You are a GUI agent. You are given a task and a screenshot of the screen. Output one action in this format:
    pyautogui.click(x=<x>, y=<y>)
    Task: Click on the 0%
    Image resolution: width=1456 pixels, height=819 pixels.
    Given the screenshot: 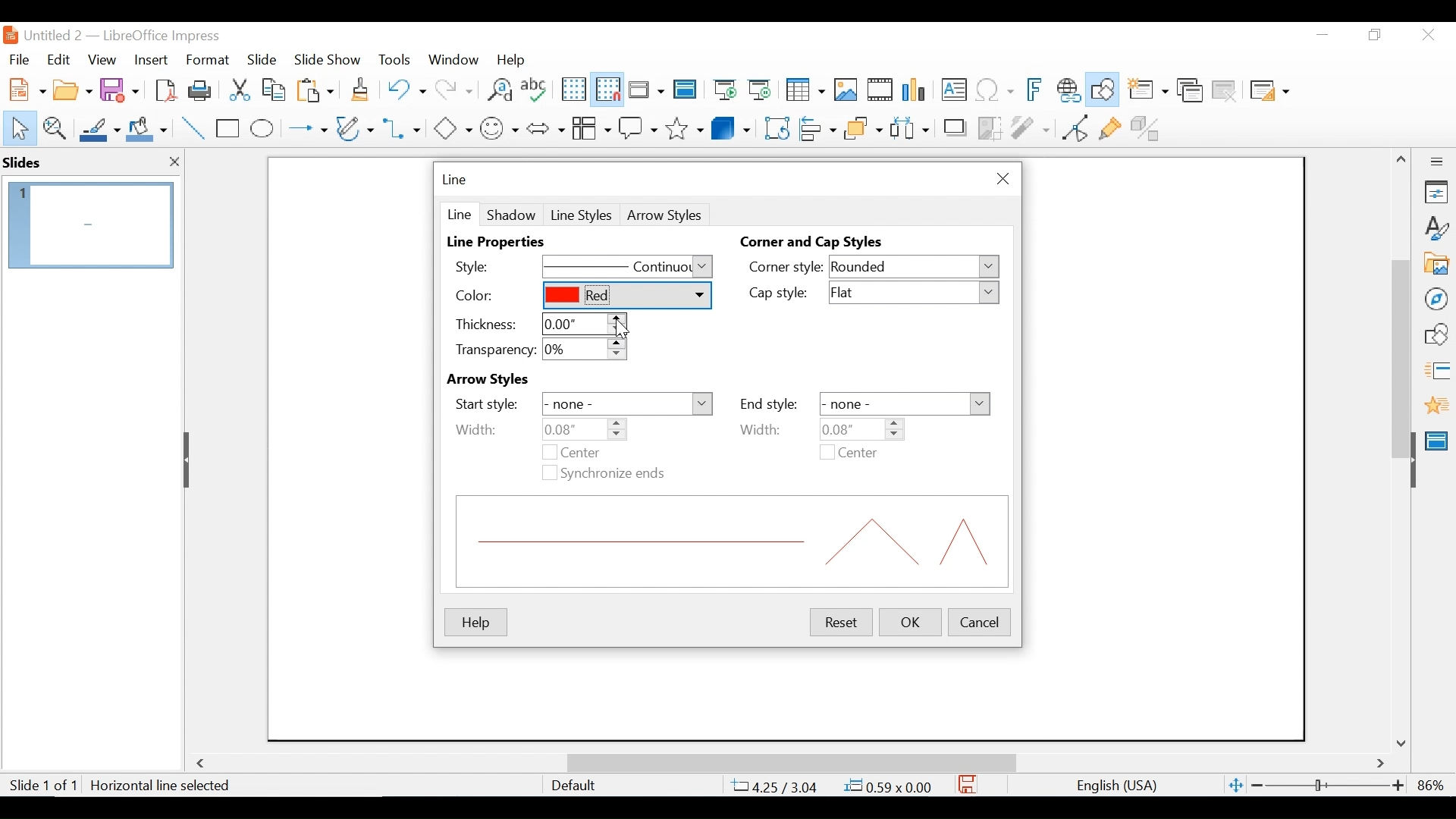 What is the action you would take?
    pyautogui.click(x=585, y=350)
    